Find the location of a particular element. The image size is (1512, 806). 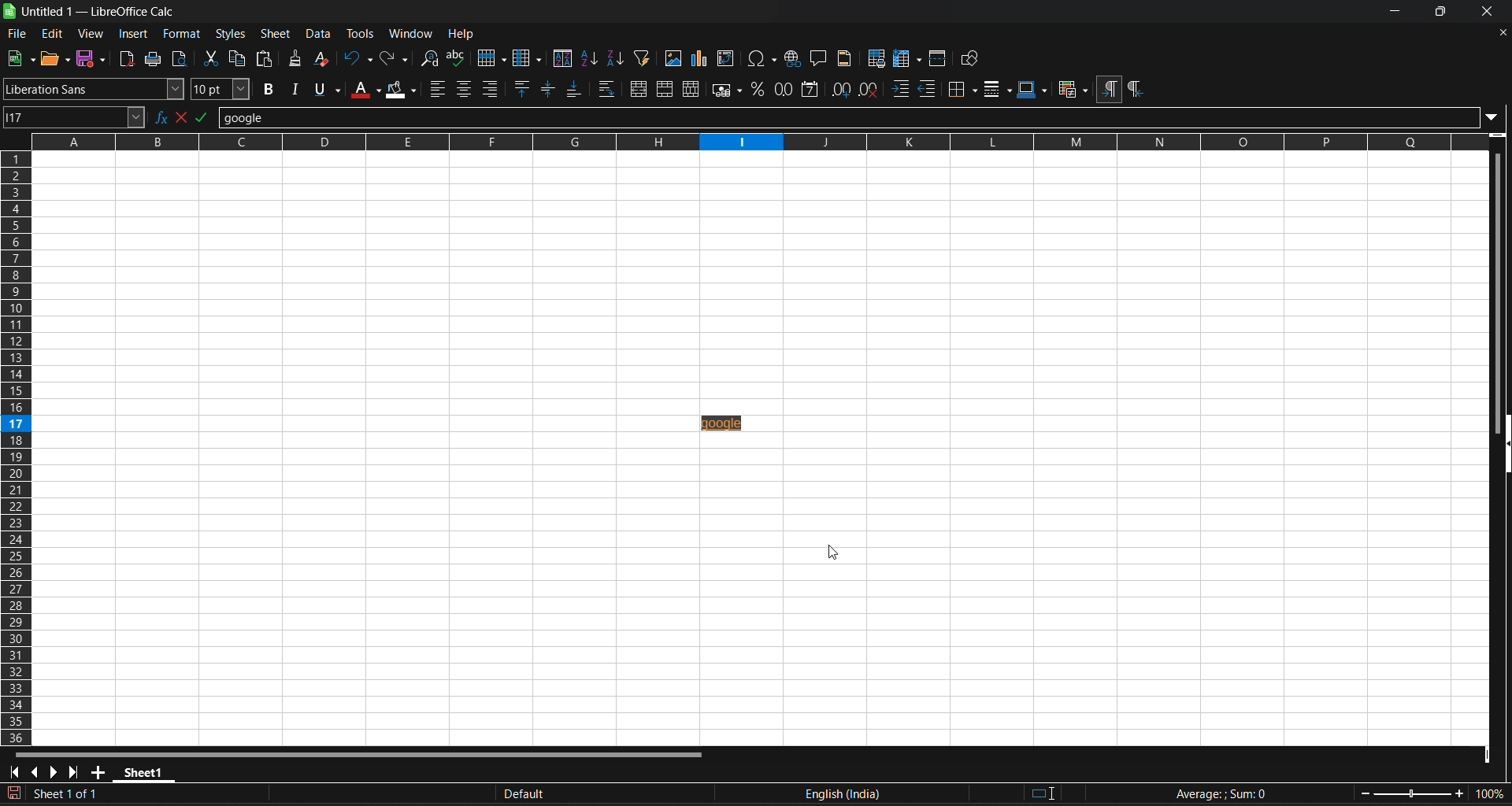

add new sheet is located at coordinates (97, 772).